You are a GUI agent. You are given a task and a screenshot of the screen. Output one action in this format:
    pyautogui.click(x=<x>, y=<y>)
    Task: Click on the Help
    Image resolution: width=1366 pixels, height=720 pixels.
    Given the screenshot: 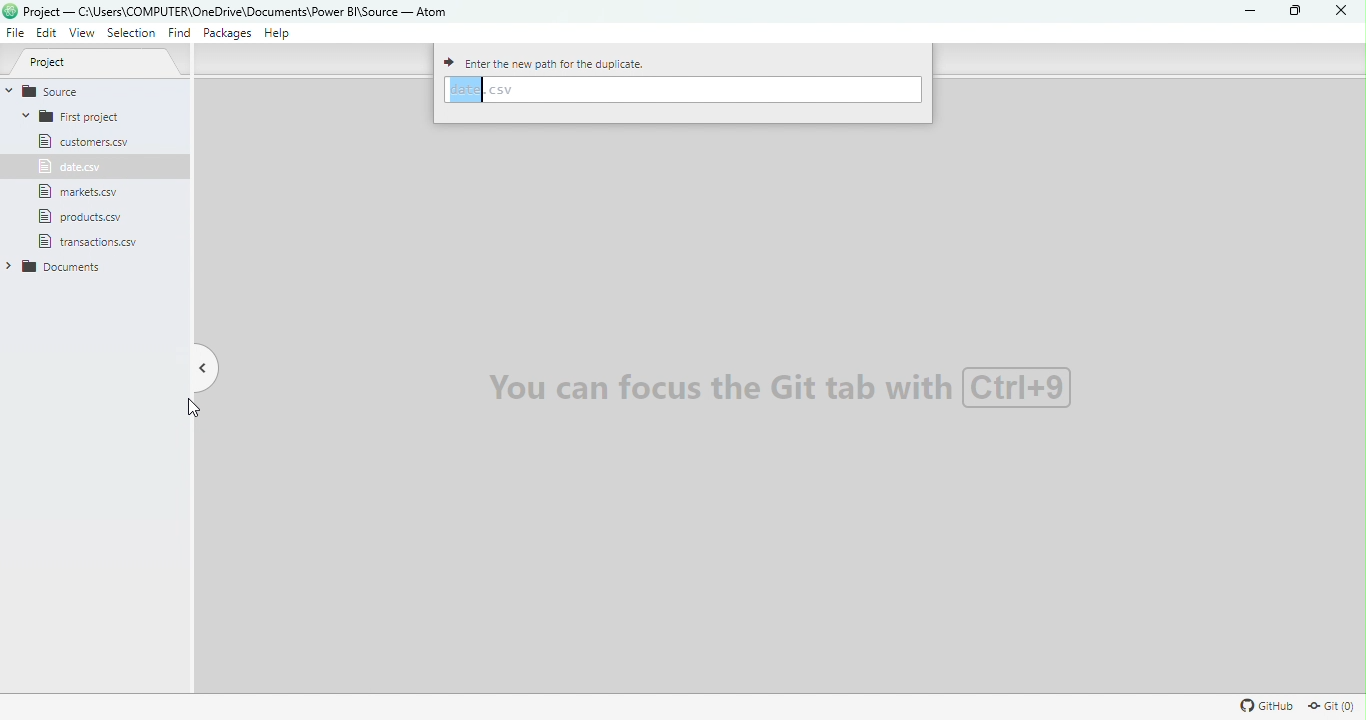 What is the action you would take?
    pyautogui.click(x=280, y=36)
    